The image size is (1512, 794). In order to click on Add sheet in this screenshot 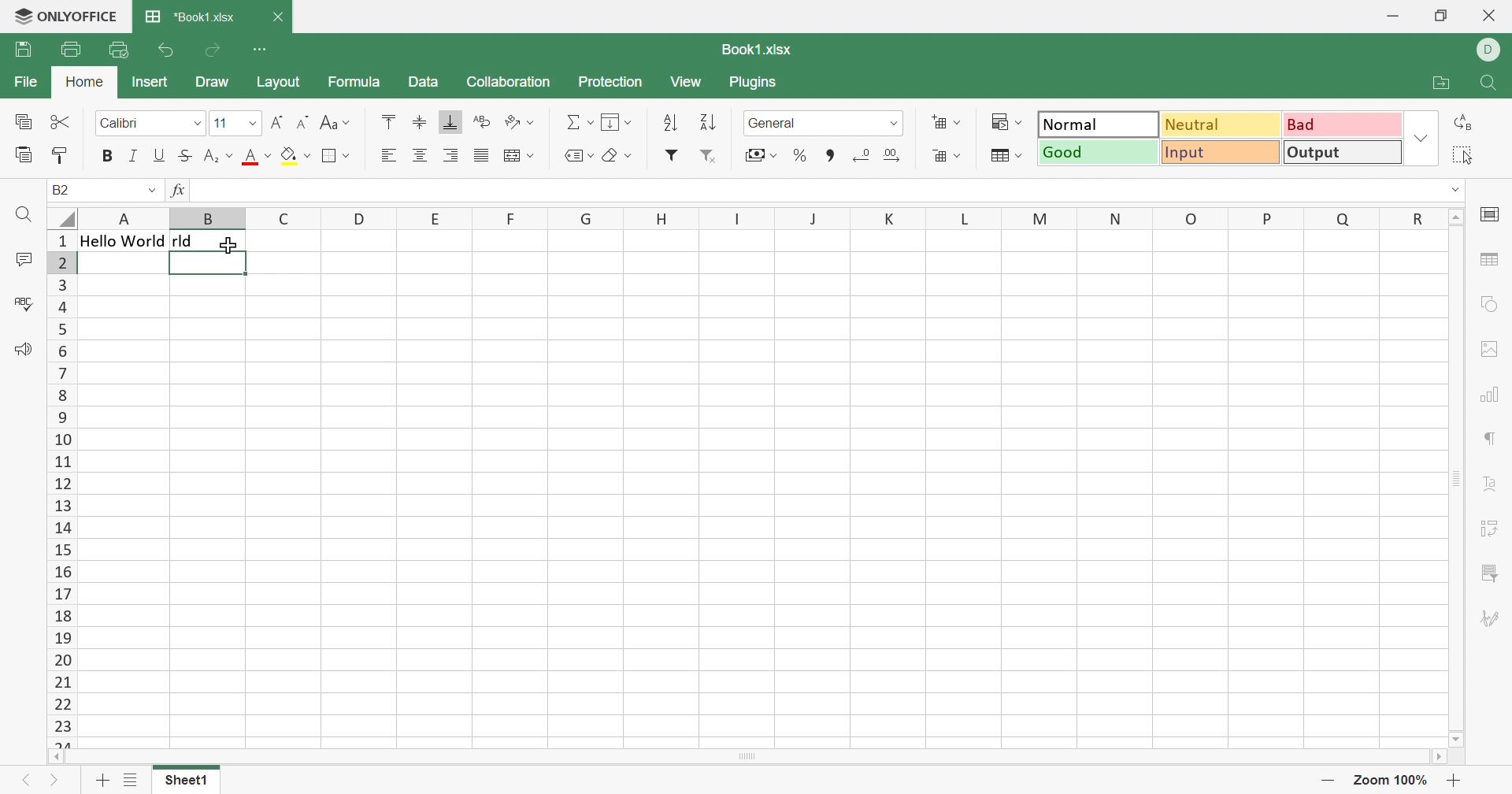, I will do `click(99, 781)`.